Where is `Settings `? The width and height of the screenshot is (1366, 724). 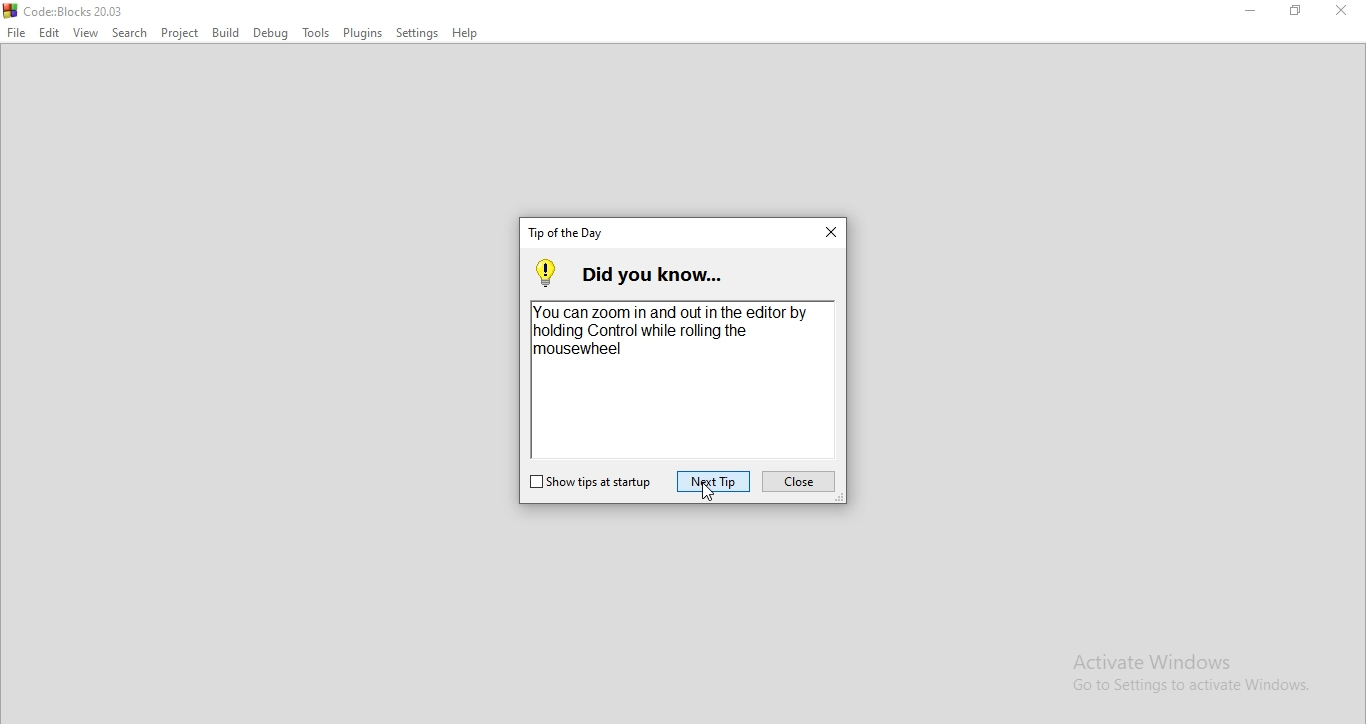 Settings  is located at coordinates (414, 32).